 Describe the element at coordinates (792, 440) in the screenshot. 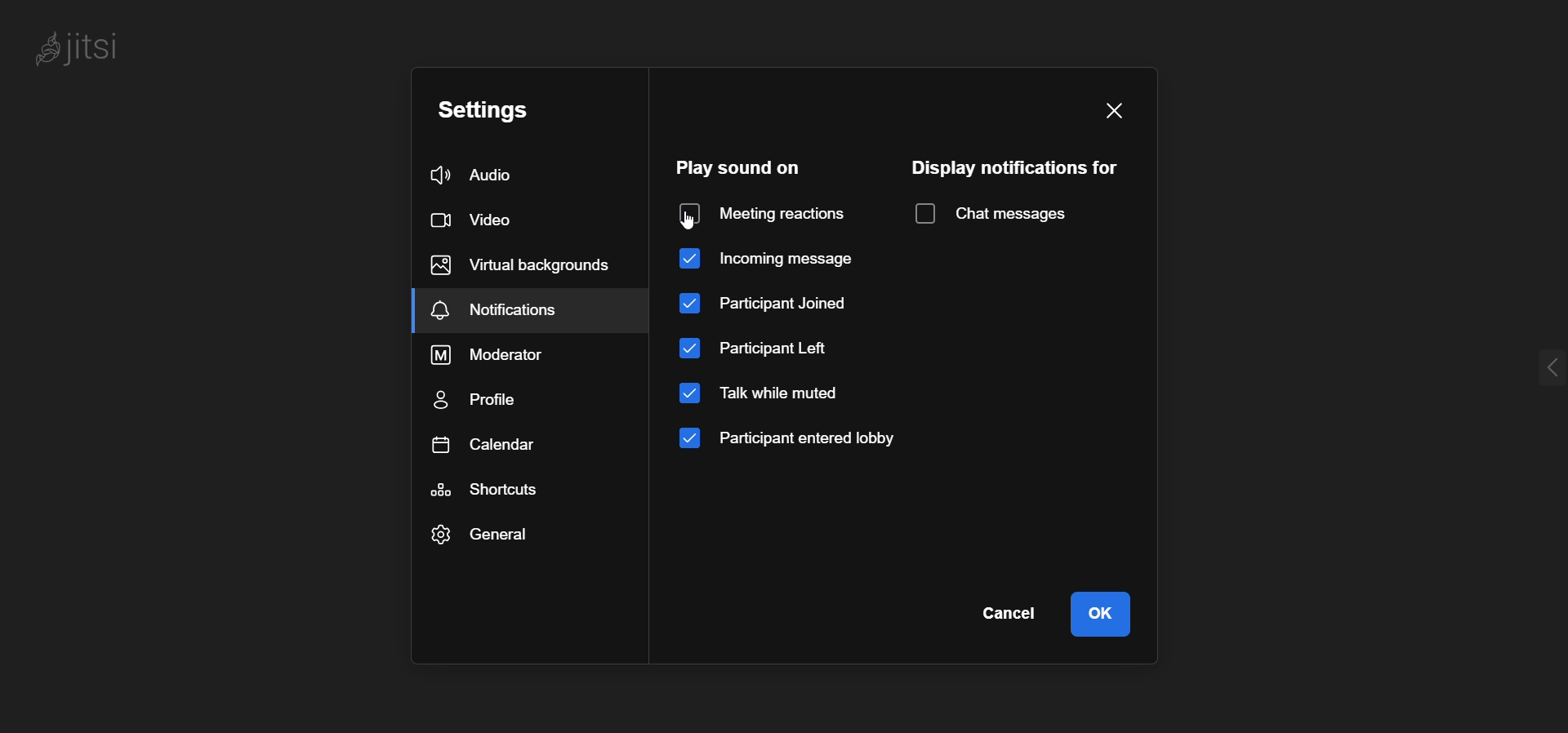

I see `participant entered lobby` at that location.